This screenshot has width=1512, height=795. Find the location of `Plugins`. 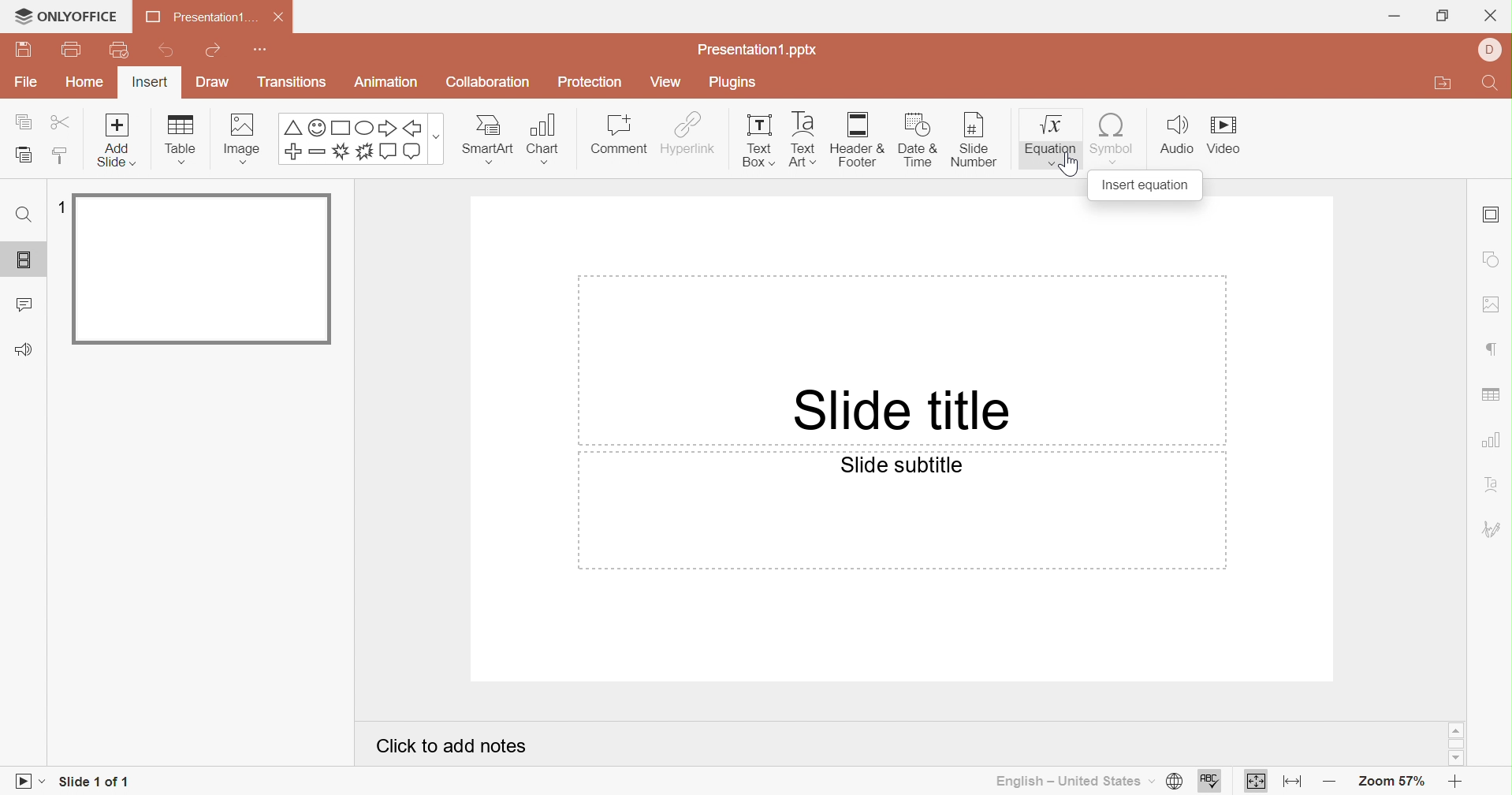

Plugins is located at coordinates (731, 84).